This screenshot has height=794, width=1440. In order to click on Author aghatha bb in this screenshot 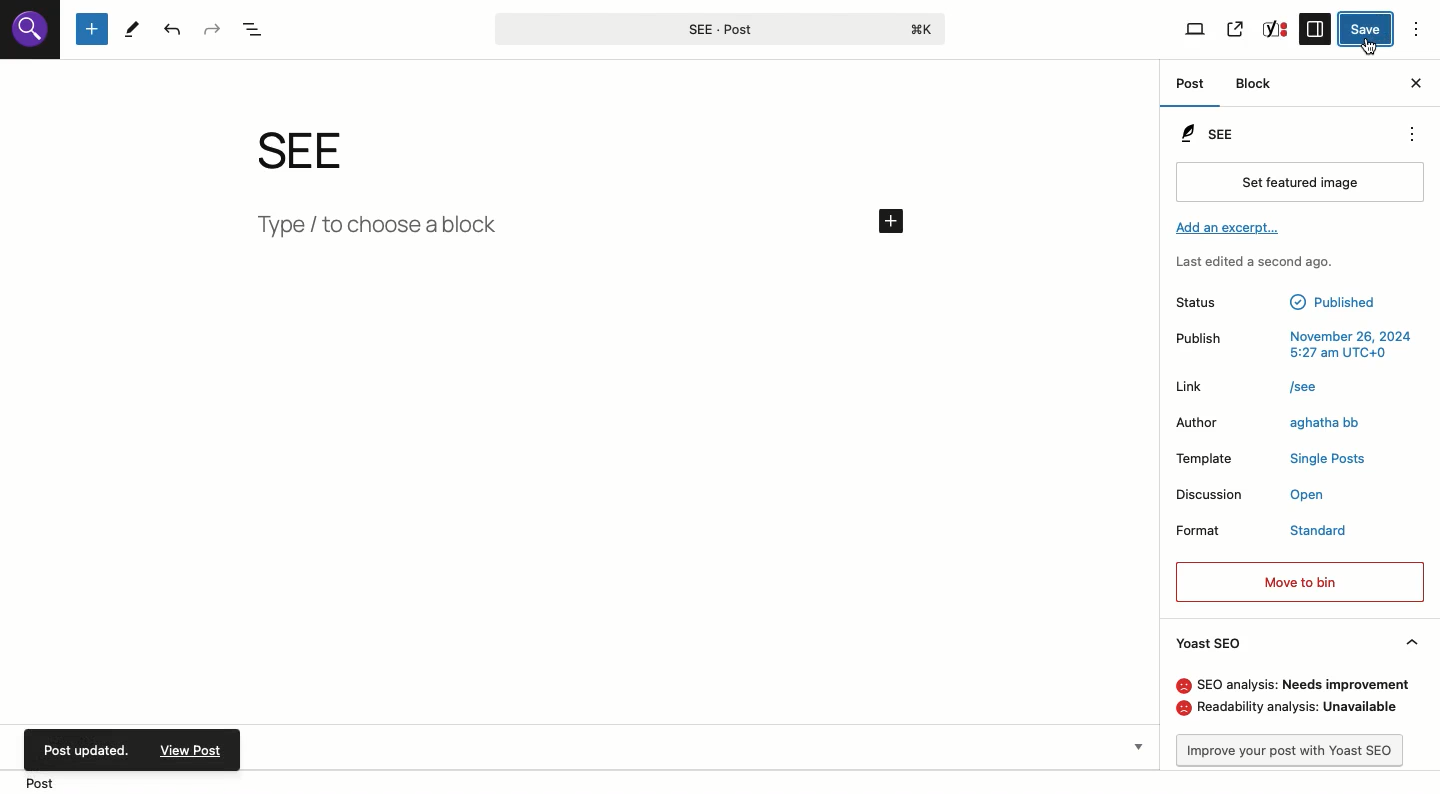, I will do `click(1278, 426)`.